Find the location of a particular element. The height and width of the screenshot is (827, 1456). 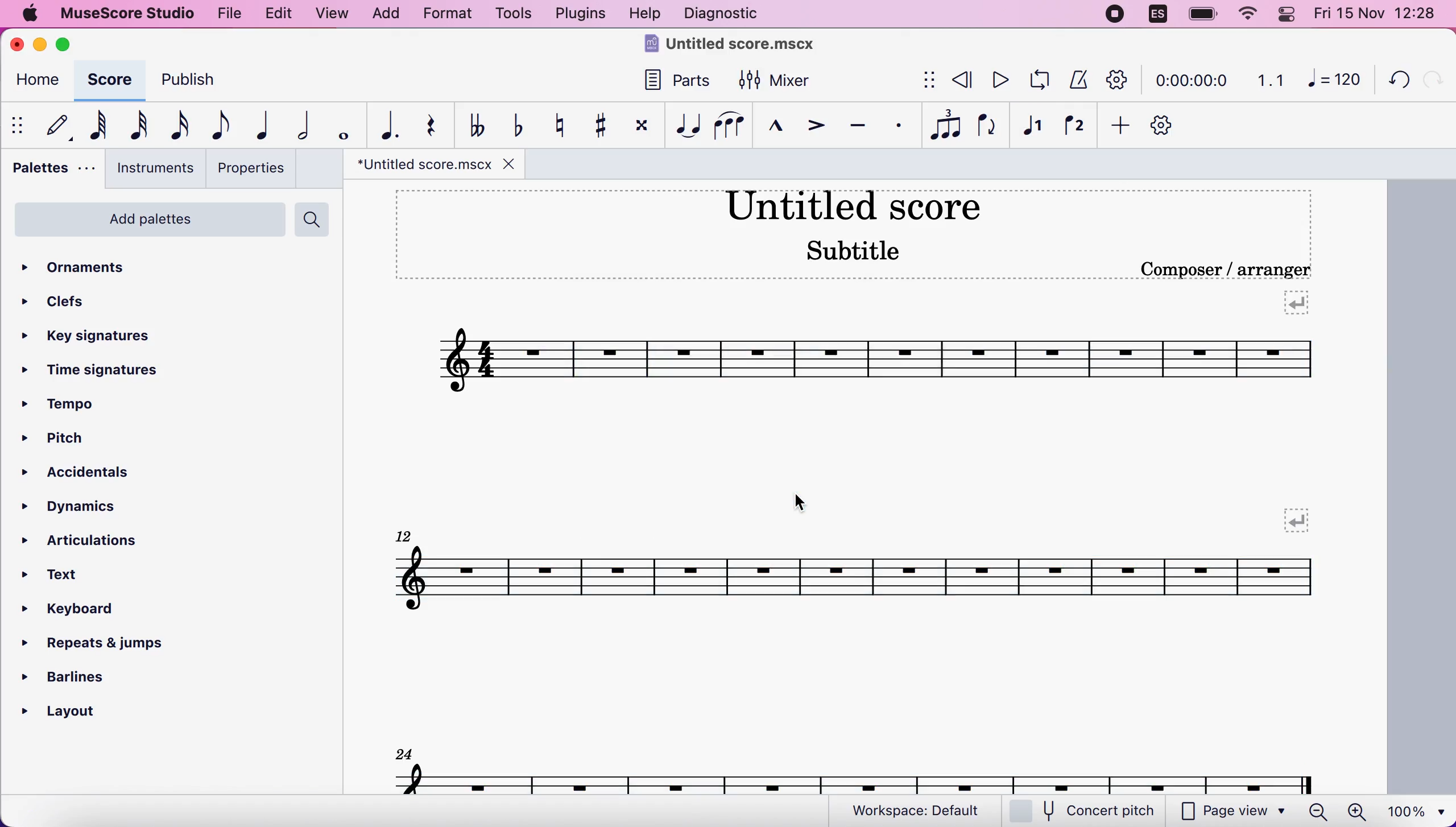

breaks is located at coordinates (1295, 302).